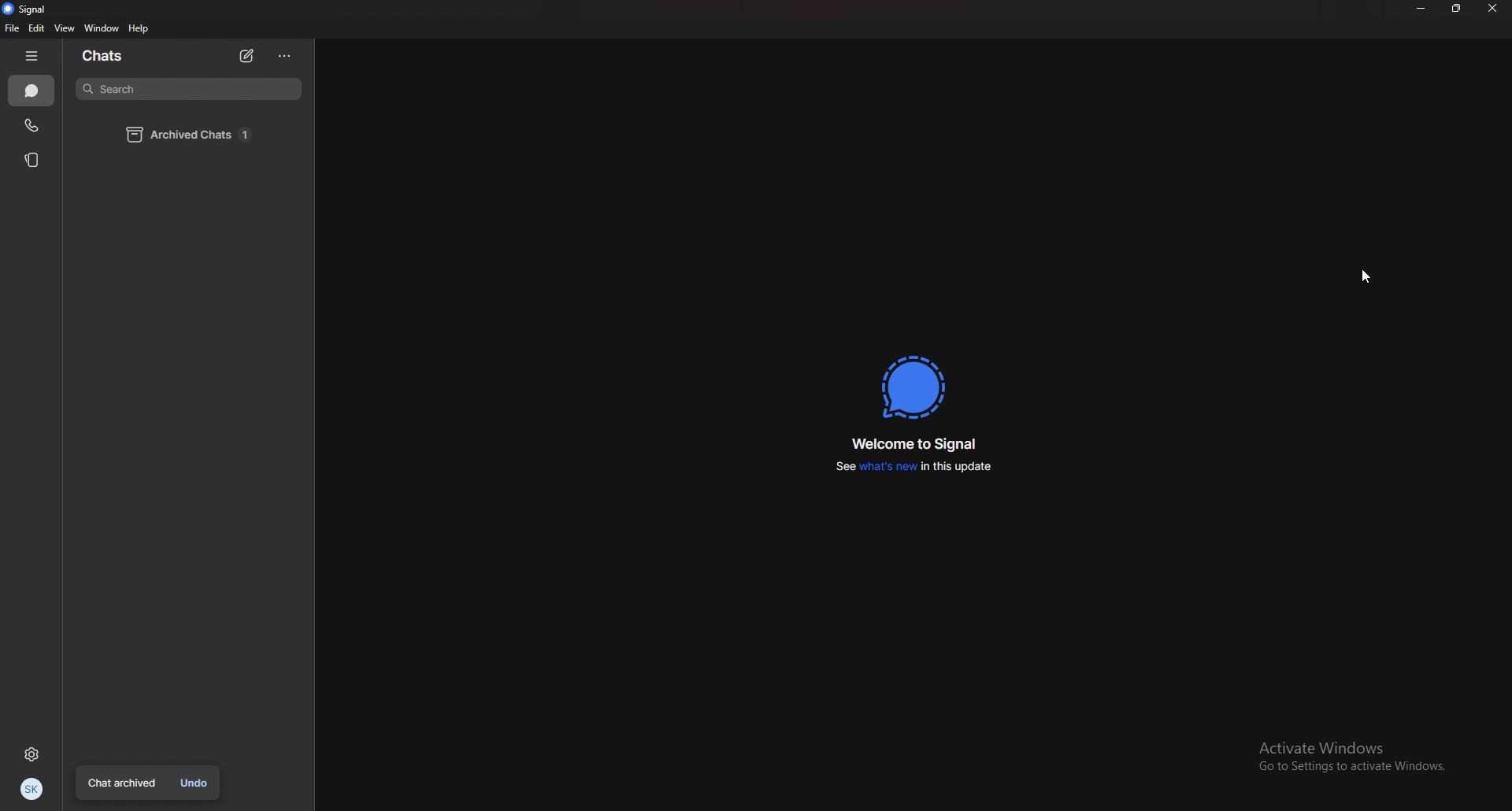  Describe the element at coordinates (1495, 9) in the screenshot. I see `close Signal` at that location.